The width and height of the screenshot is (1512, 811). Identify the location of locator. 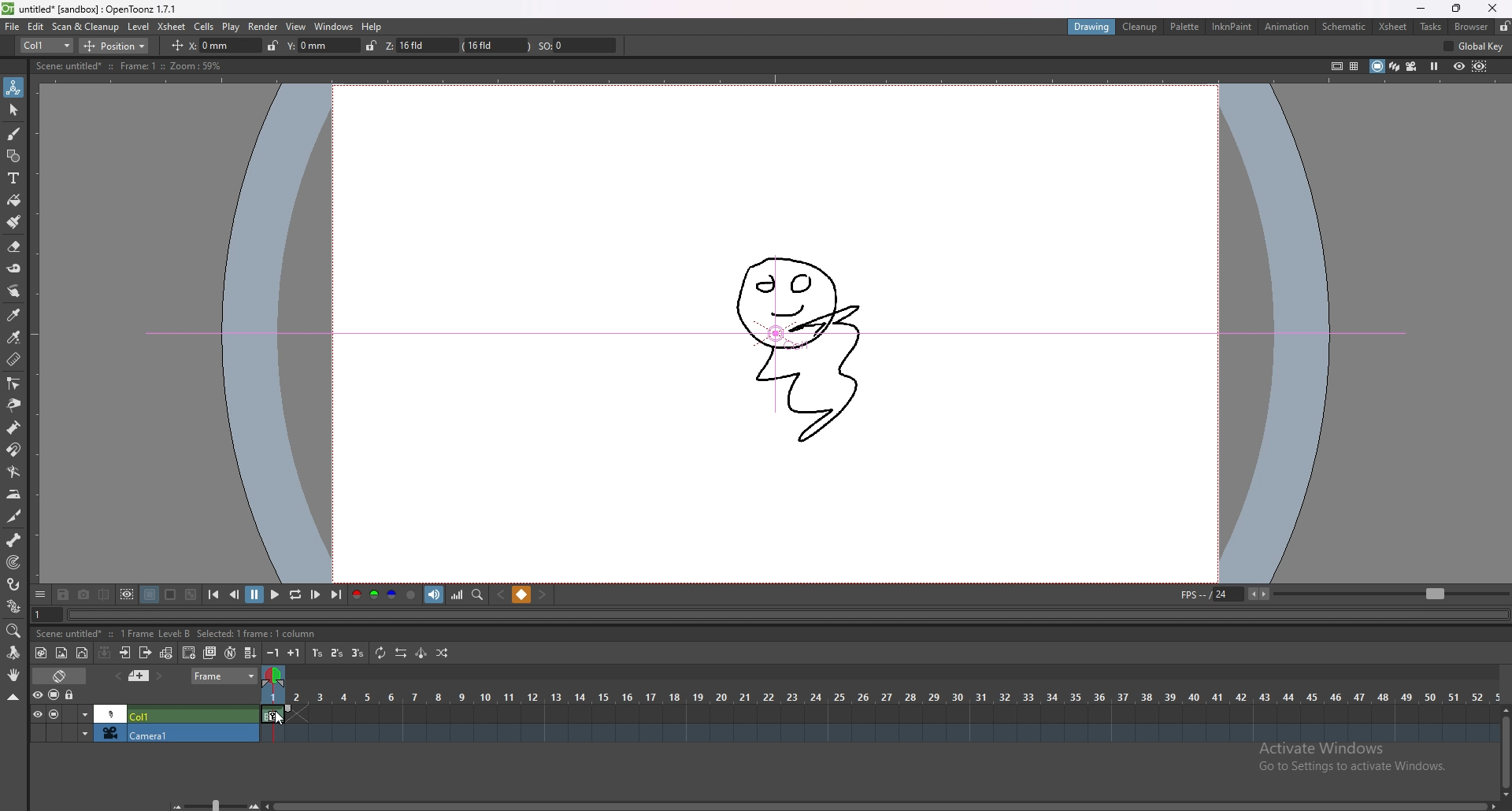
(478, 594).